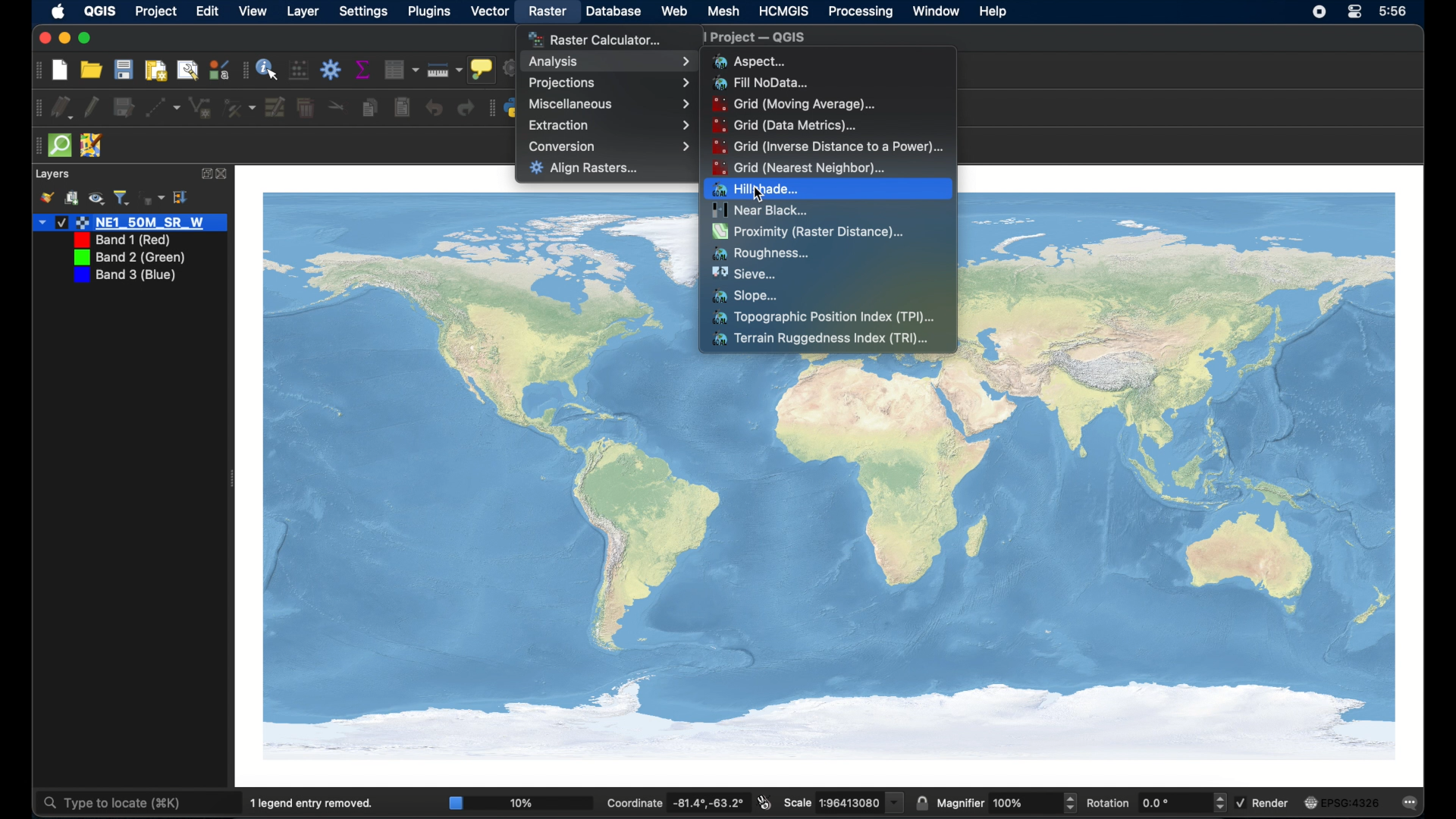 This screenshot has height=819, width=1456. What do you see at coordinates (92, 70) in the screenshot?
I see `open` at bounding box center [92, 70].